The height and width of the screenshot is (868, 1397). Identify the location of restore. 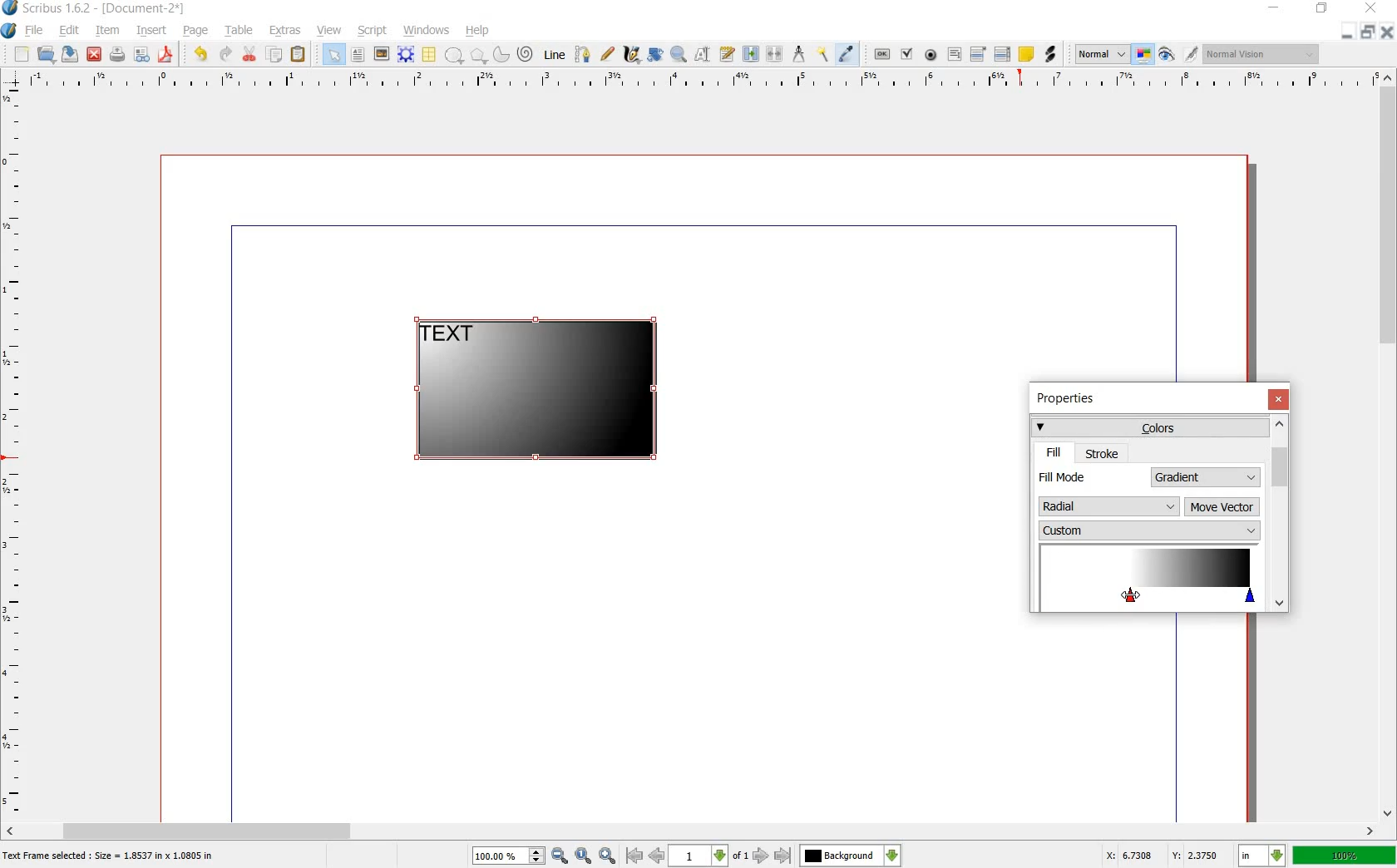
(1322, 11).